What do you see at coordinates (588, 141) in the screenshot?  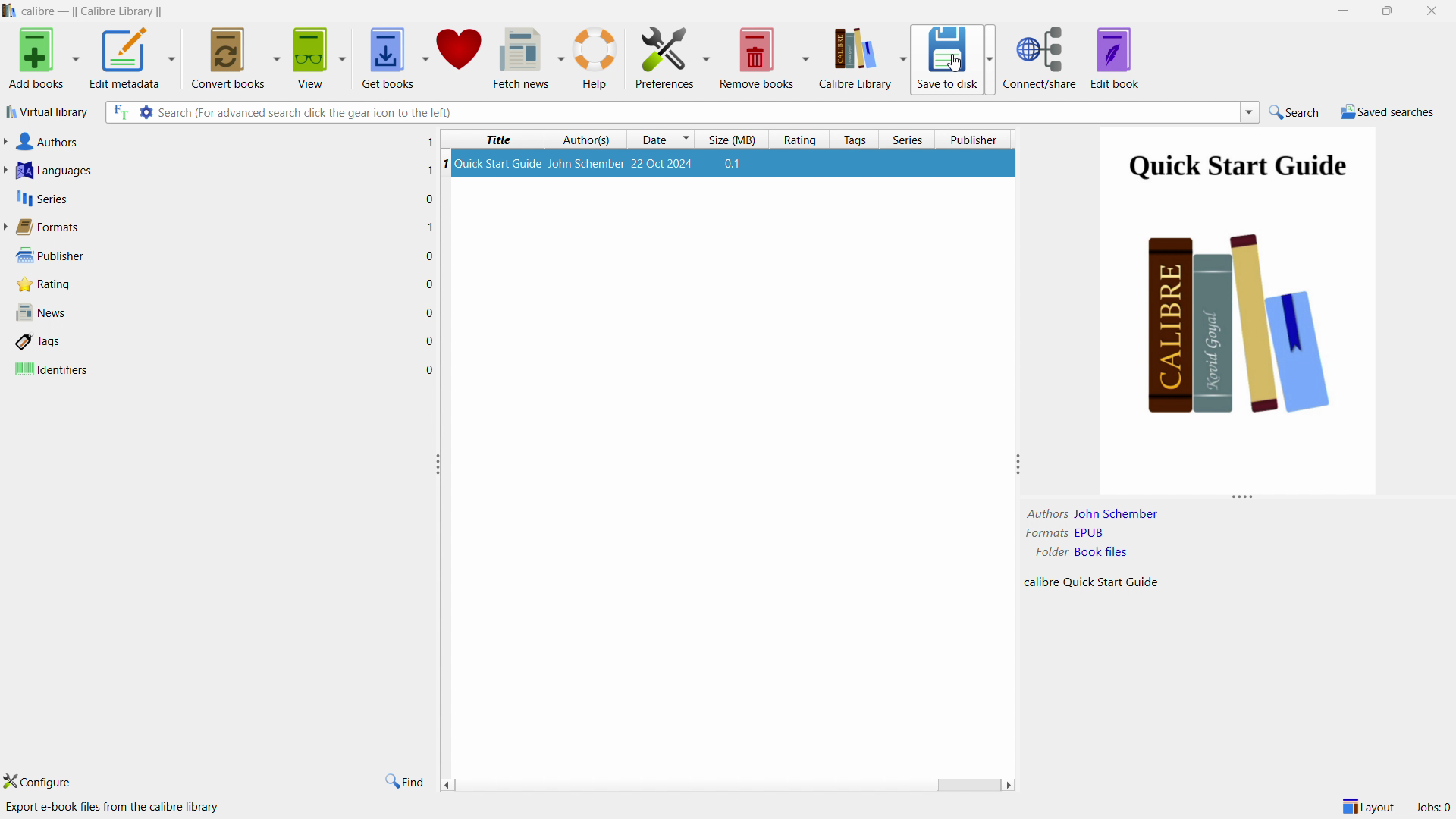 I see `Author(s)` at bounding box center [588, 141].